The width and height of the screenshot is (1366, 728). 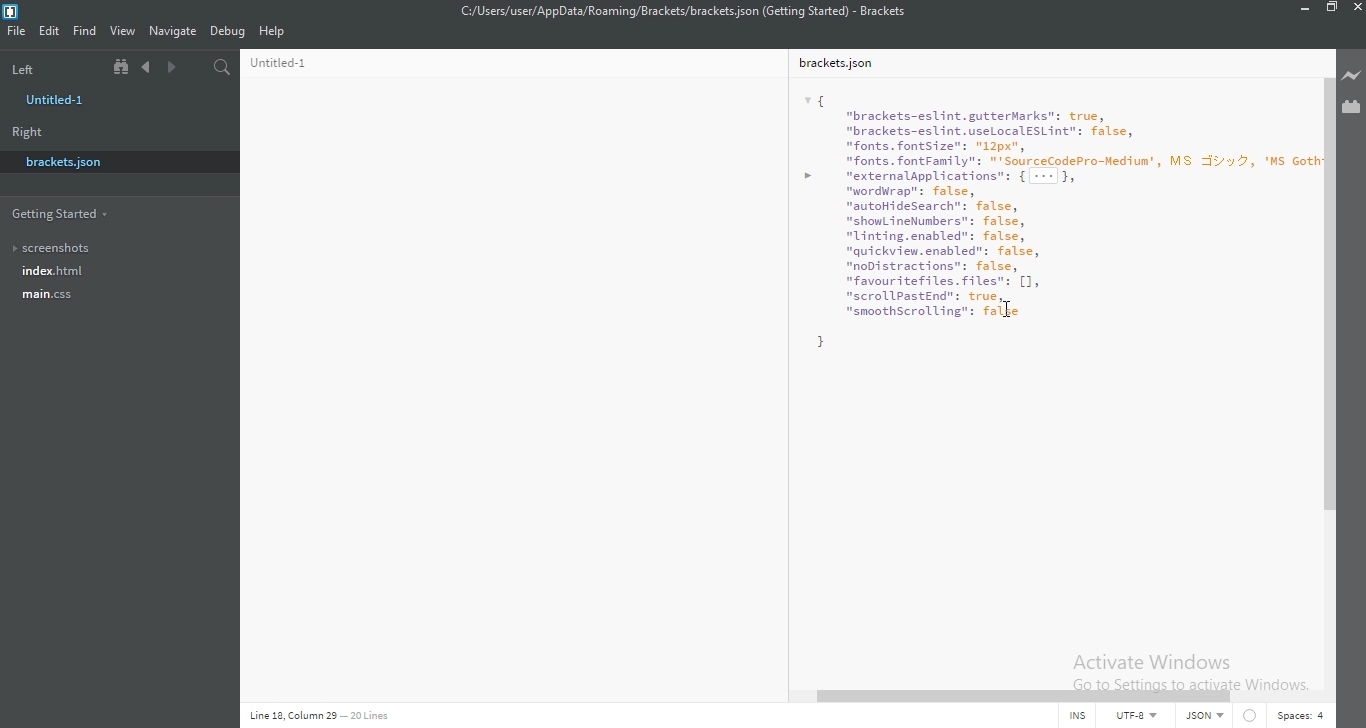 What do you see at coordinates (46, 67) in the screenshot?
I see `Left` at bounding box center [46, 67].